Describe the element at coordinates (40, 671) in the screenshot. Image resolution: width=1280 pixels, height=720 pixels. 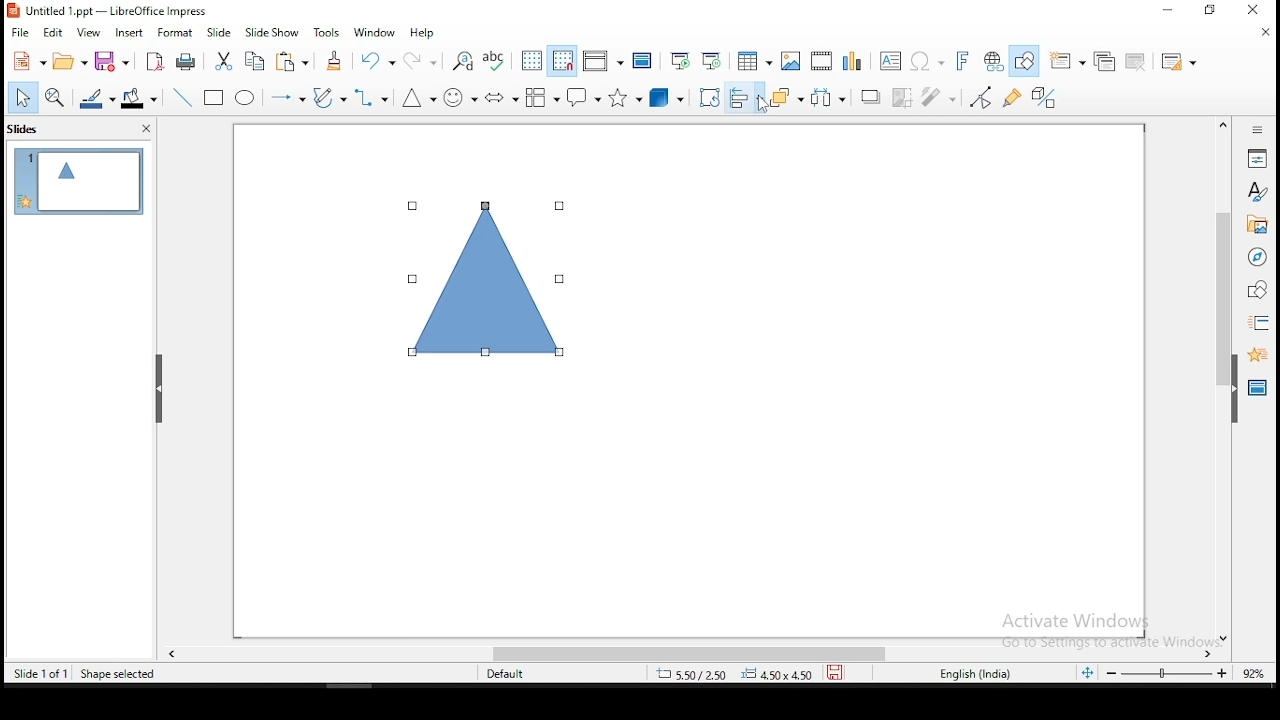
I see `slide 1 of 1` at that location.